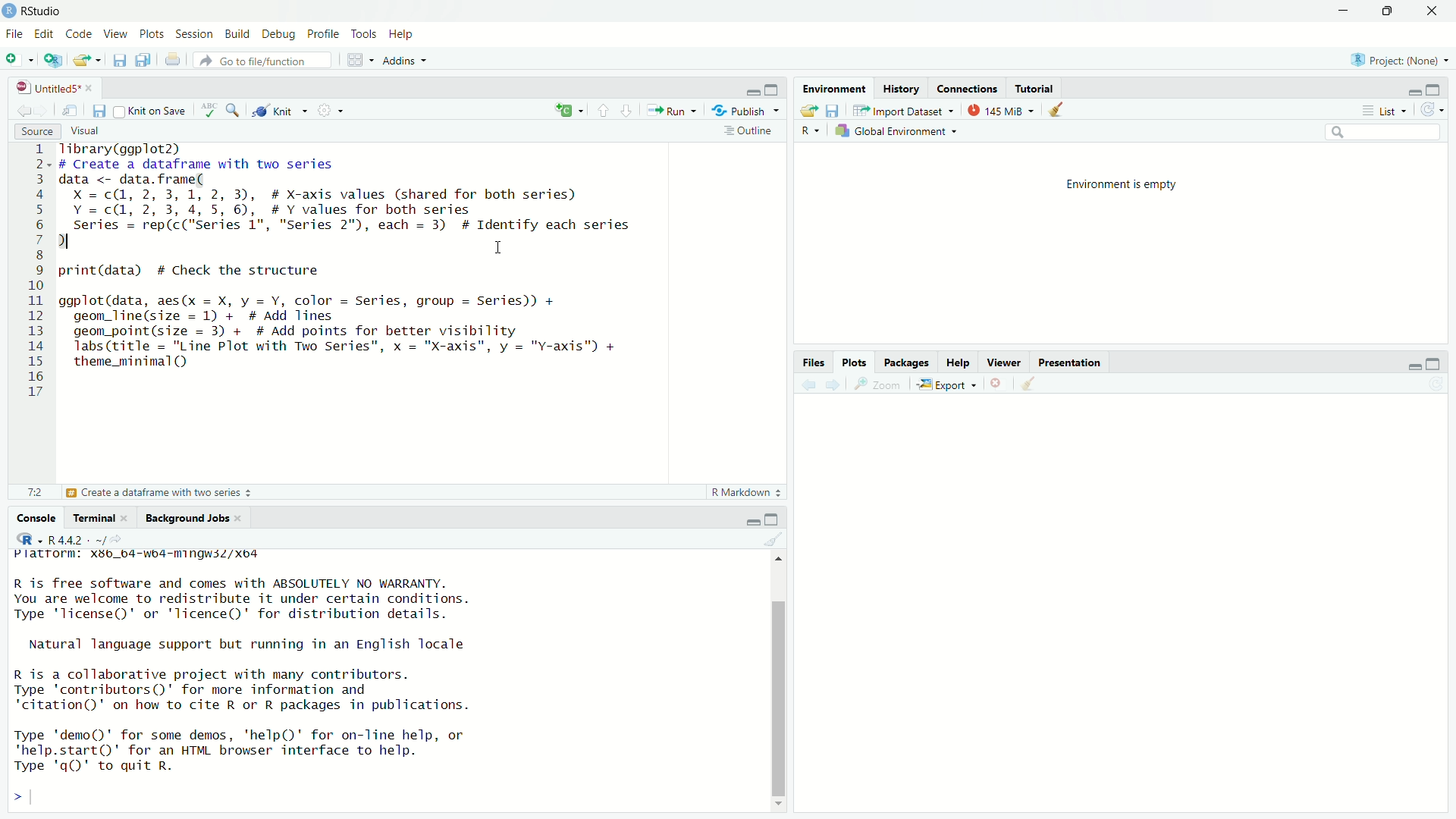 The width and height of the screenshot is (1456, 819). What do you see at coordinates (833, 86) in the screenshot?
I see `Environment` at bounding box center [833, 86].